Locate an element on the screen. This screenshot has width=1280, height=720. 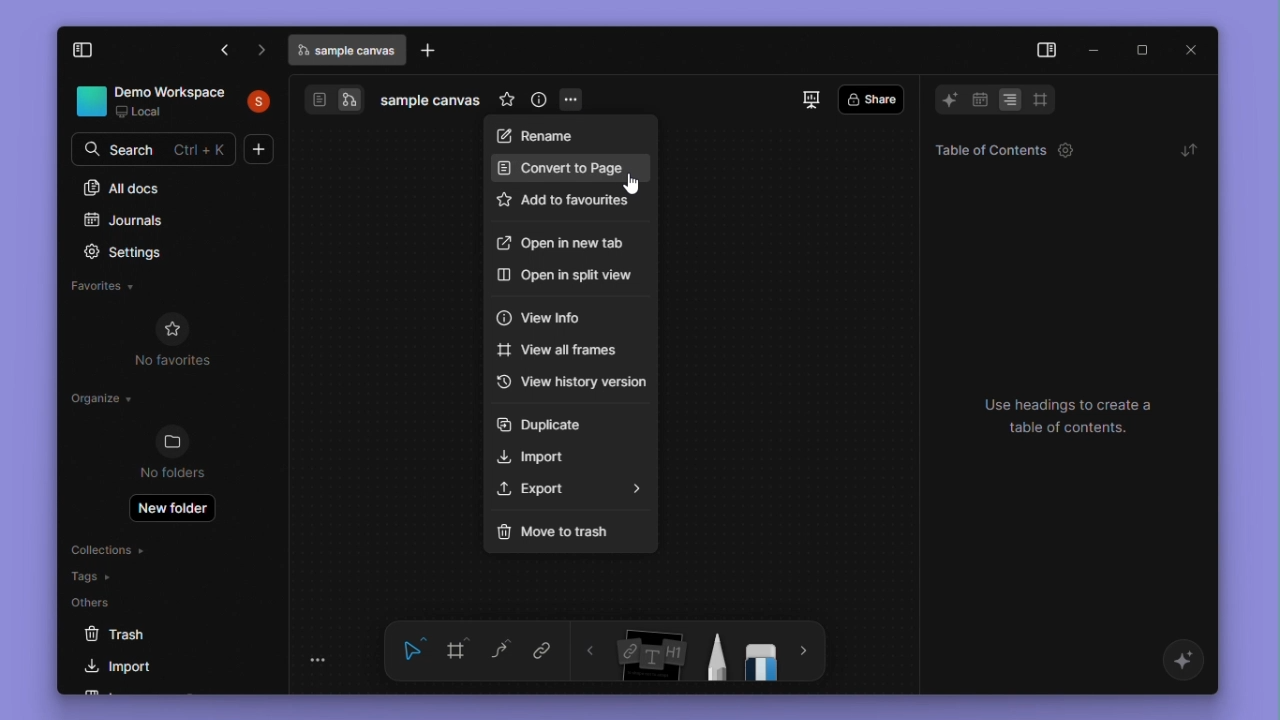
New folder is located at coordinates (173, 510).